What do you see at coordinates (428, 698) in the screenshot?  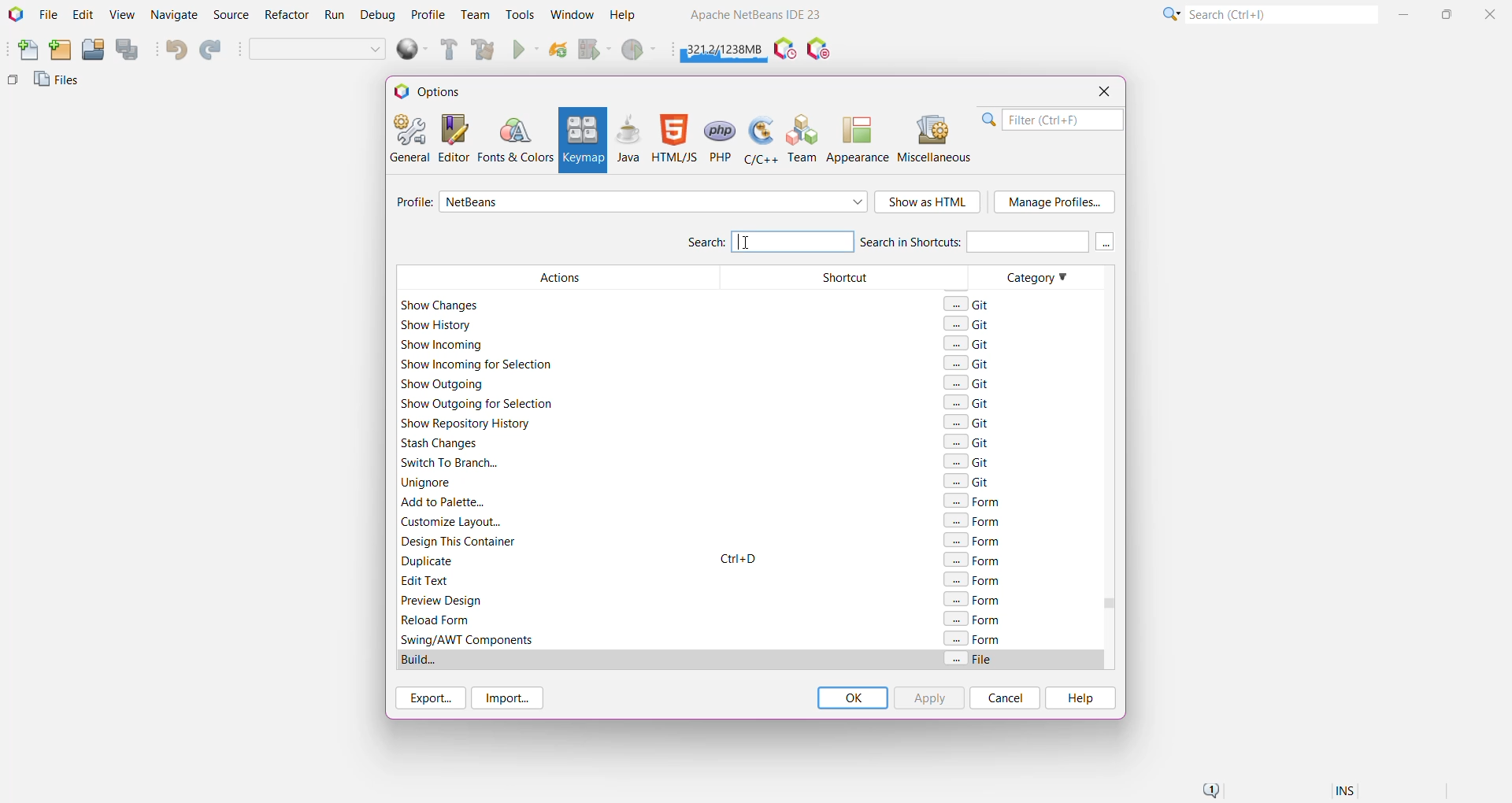 I see `Export` at bounding box center [428, 698].